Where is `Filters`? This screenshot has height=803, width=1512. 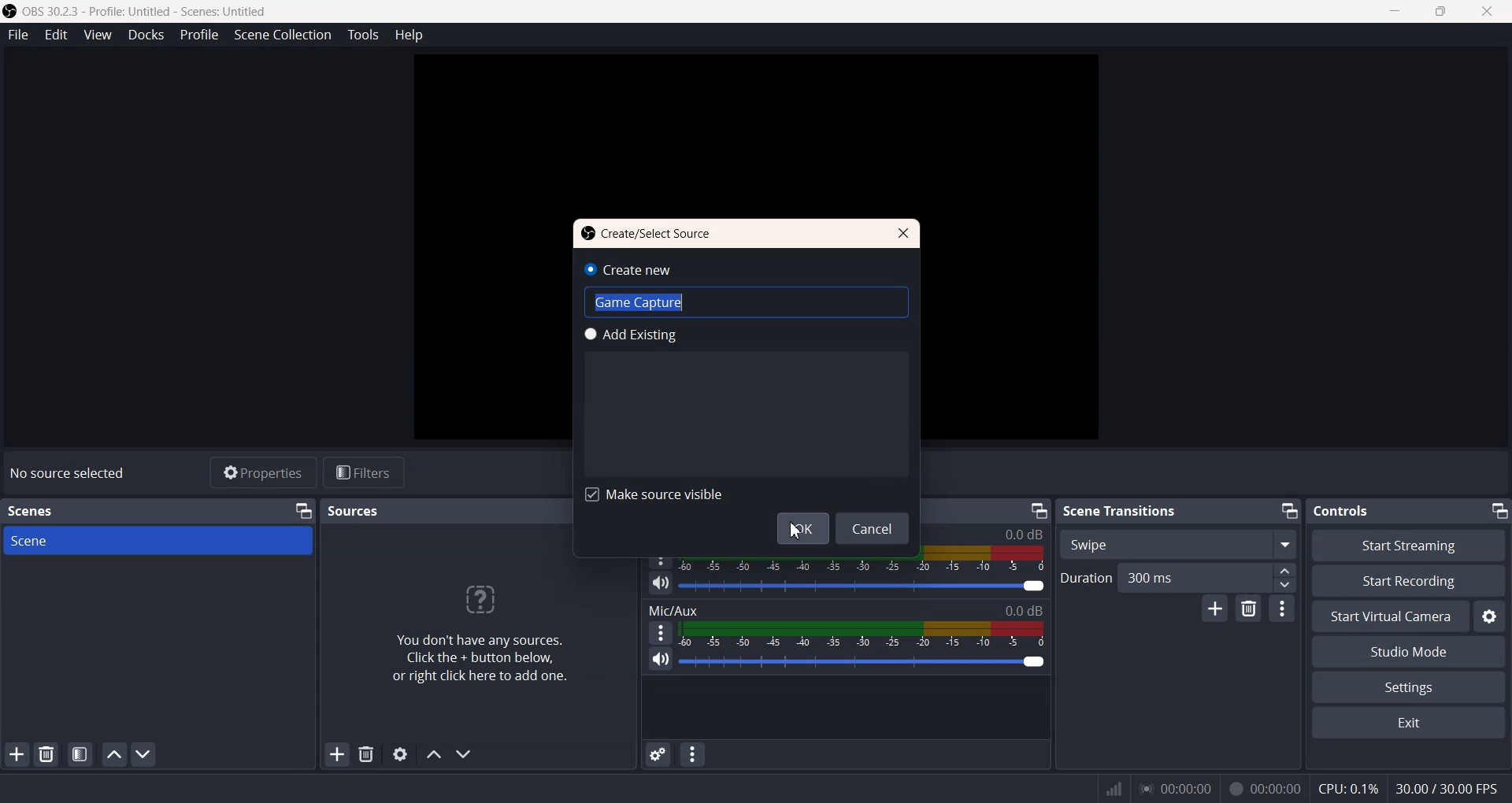
Filters is located at coordinates (373, 472).